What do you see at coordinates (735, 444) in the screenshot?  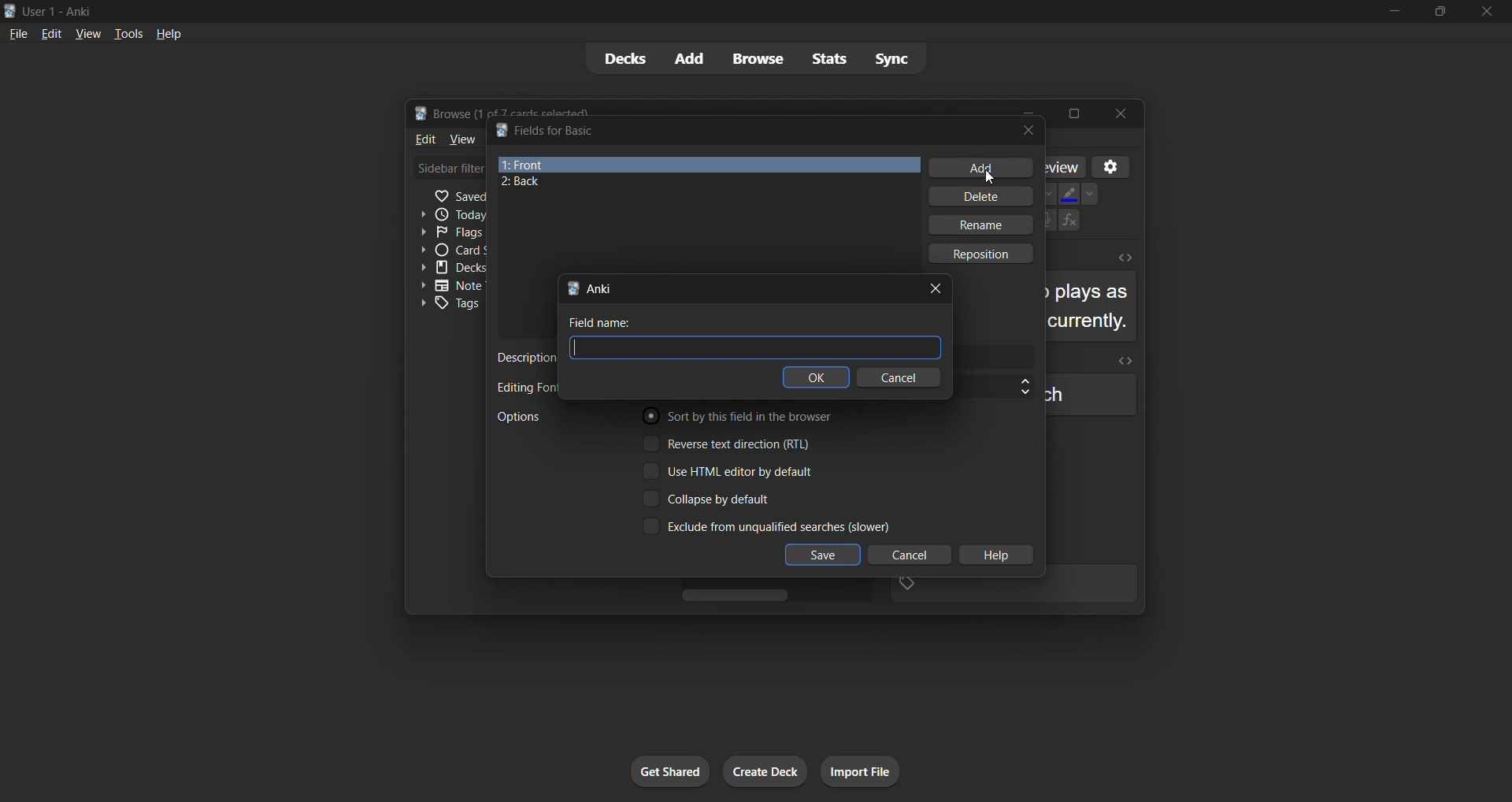 I see `Reverse text direction(RTL)` at bounding box center [735, 444].